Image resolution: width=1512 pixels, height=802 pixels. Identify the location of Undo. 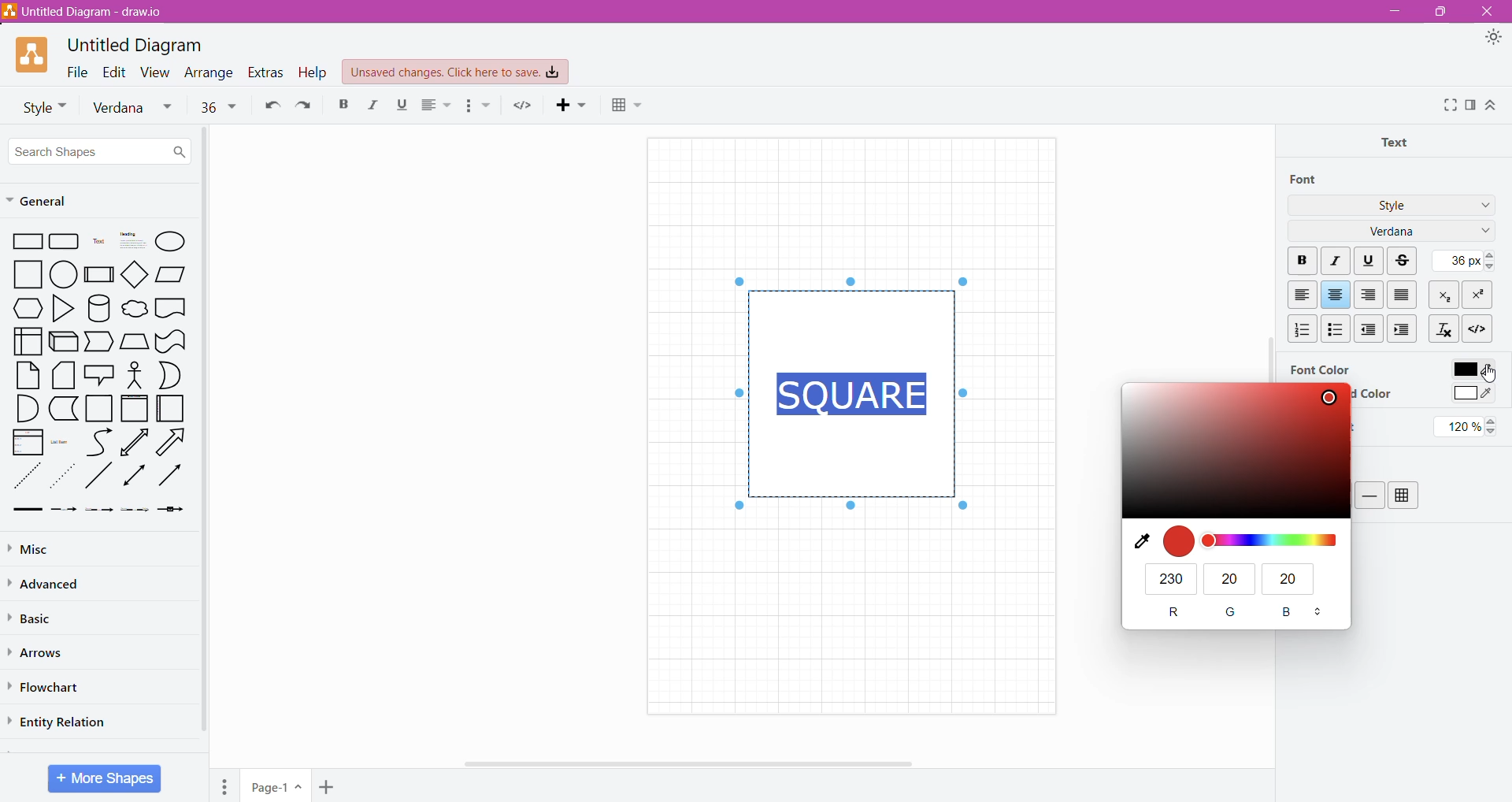
(269, 104).